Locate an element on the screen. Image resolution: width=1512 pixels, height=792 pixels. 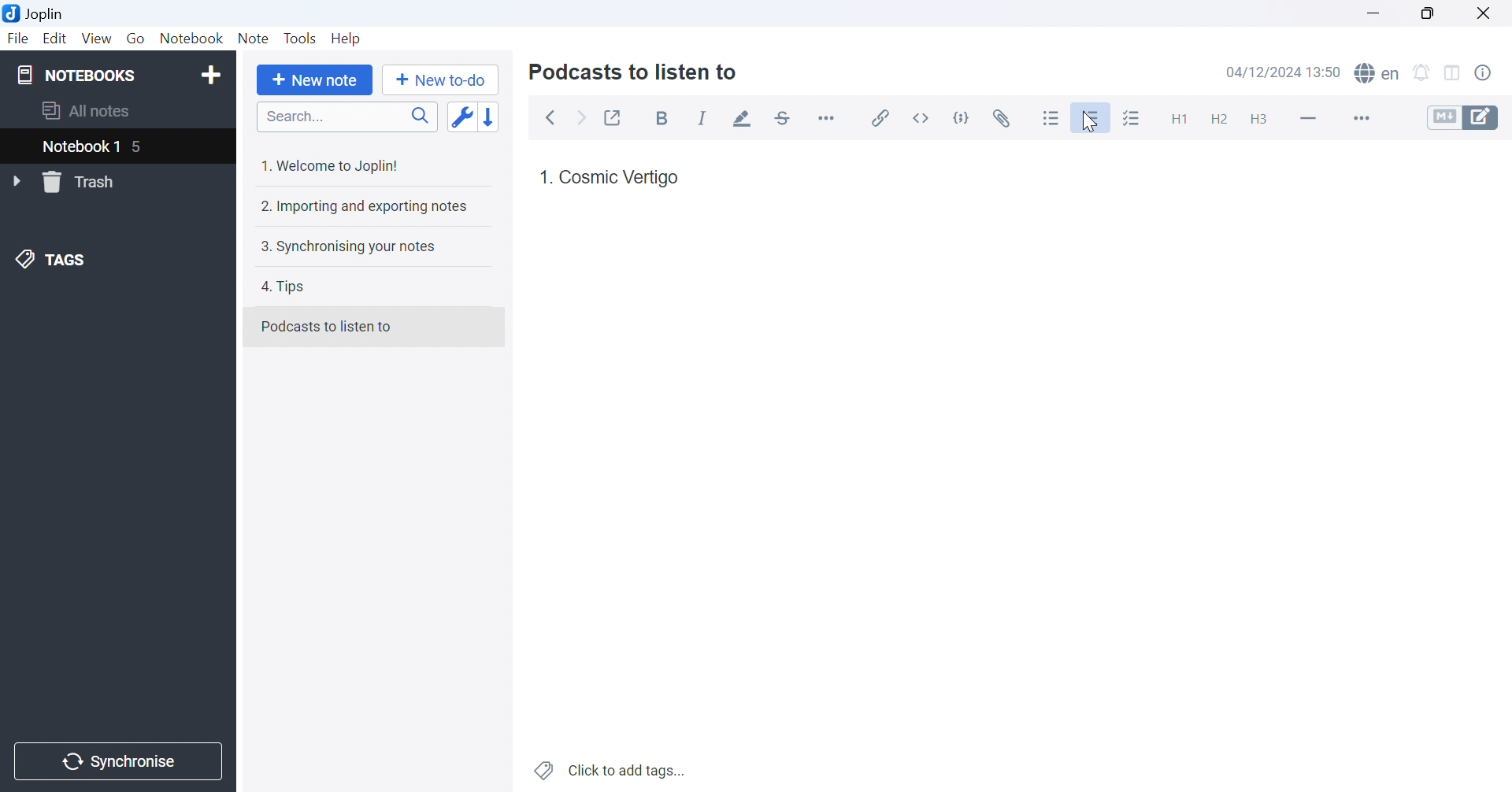
Strikethrough is located at coordinates (784, 117).